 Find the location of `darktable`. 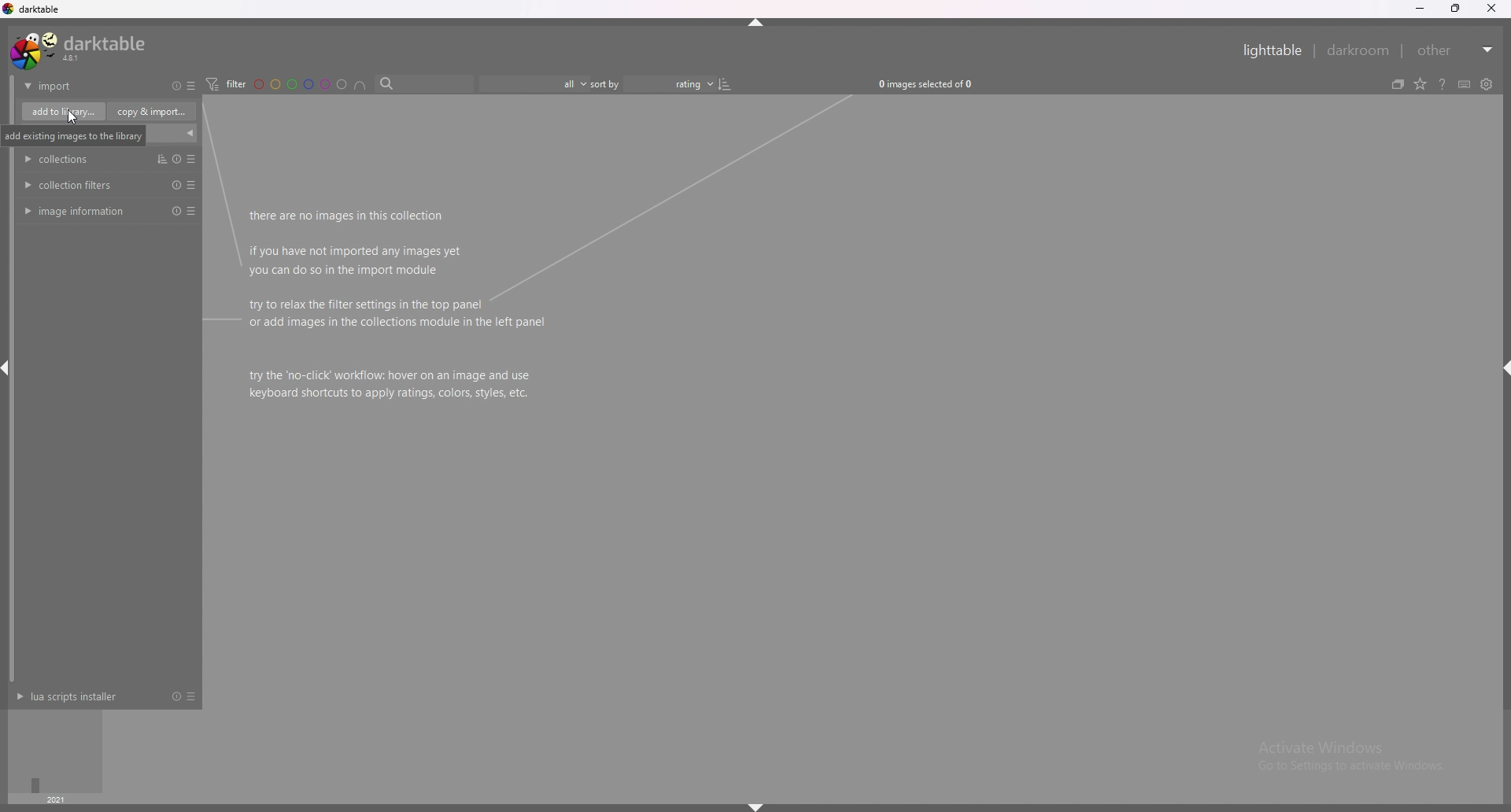

darktable is located at coordinates (79, 50).